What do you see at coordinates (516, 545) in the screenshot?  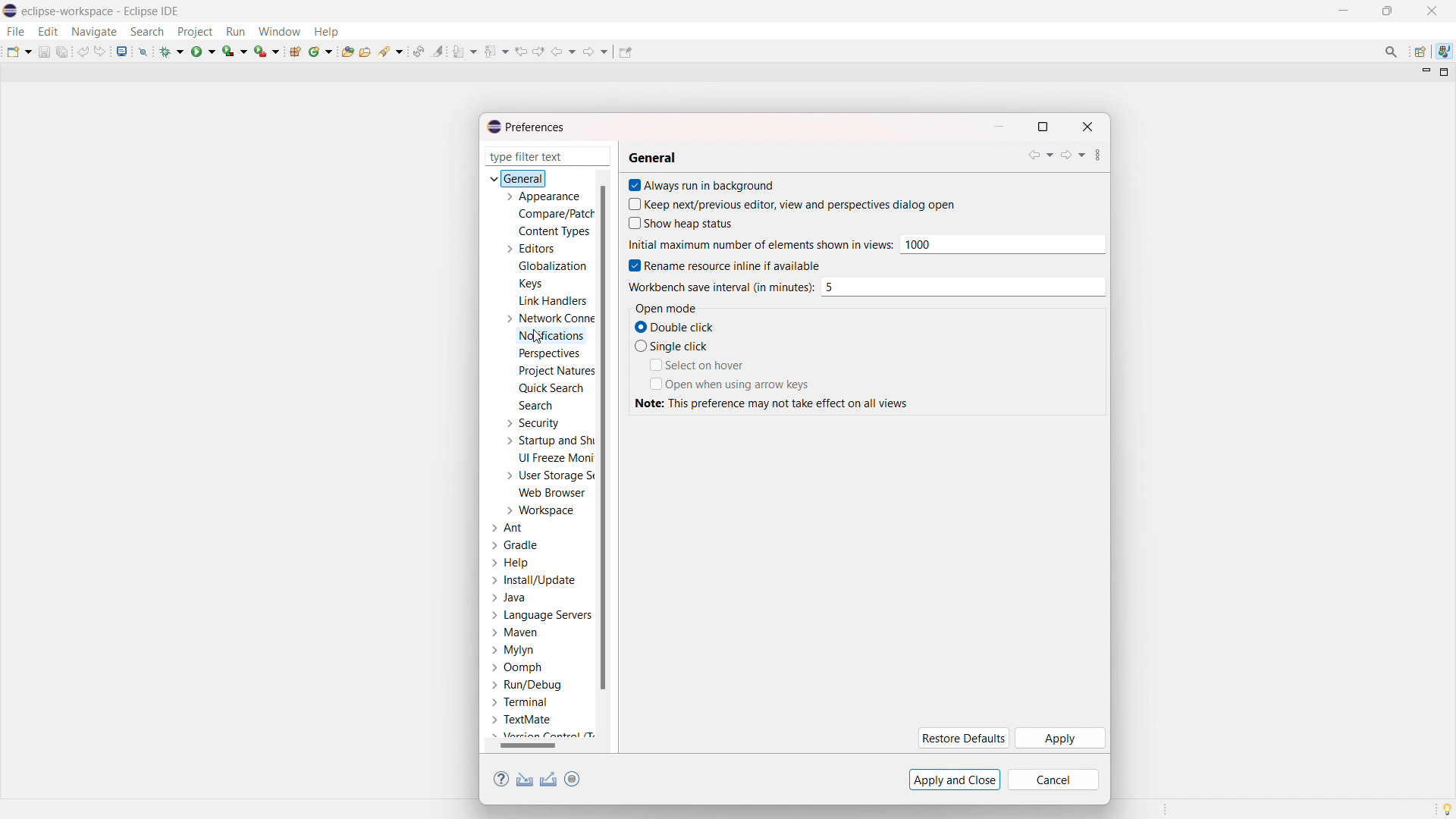 I see `gradle` at bounding box center [516, 545].